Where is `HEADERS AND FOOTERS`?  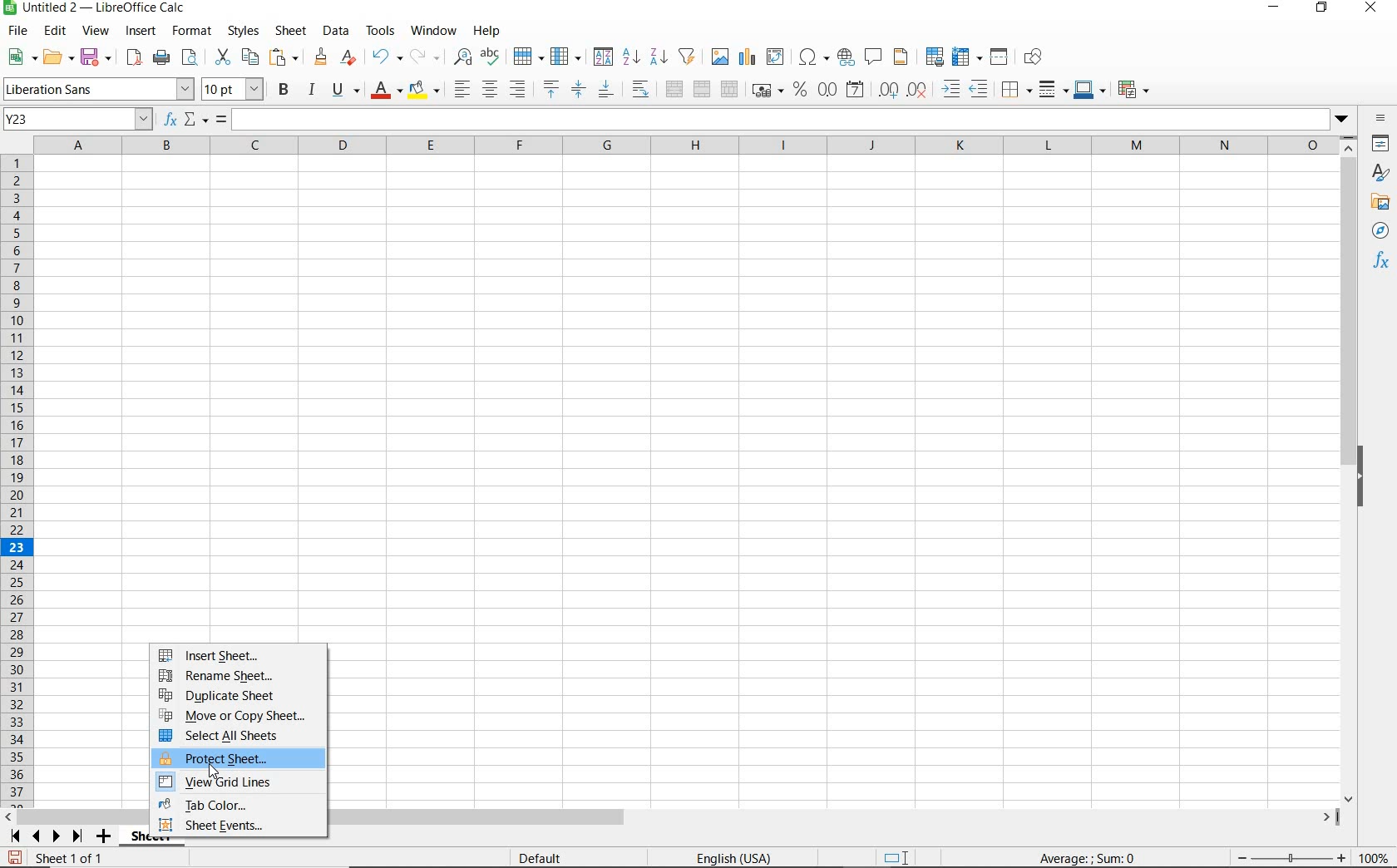 HEADERS AND FOOTERS is located at coordinates (901, 58).